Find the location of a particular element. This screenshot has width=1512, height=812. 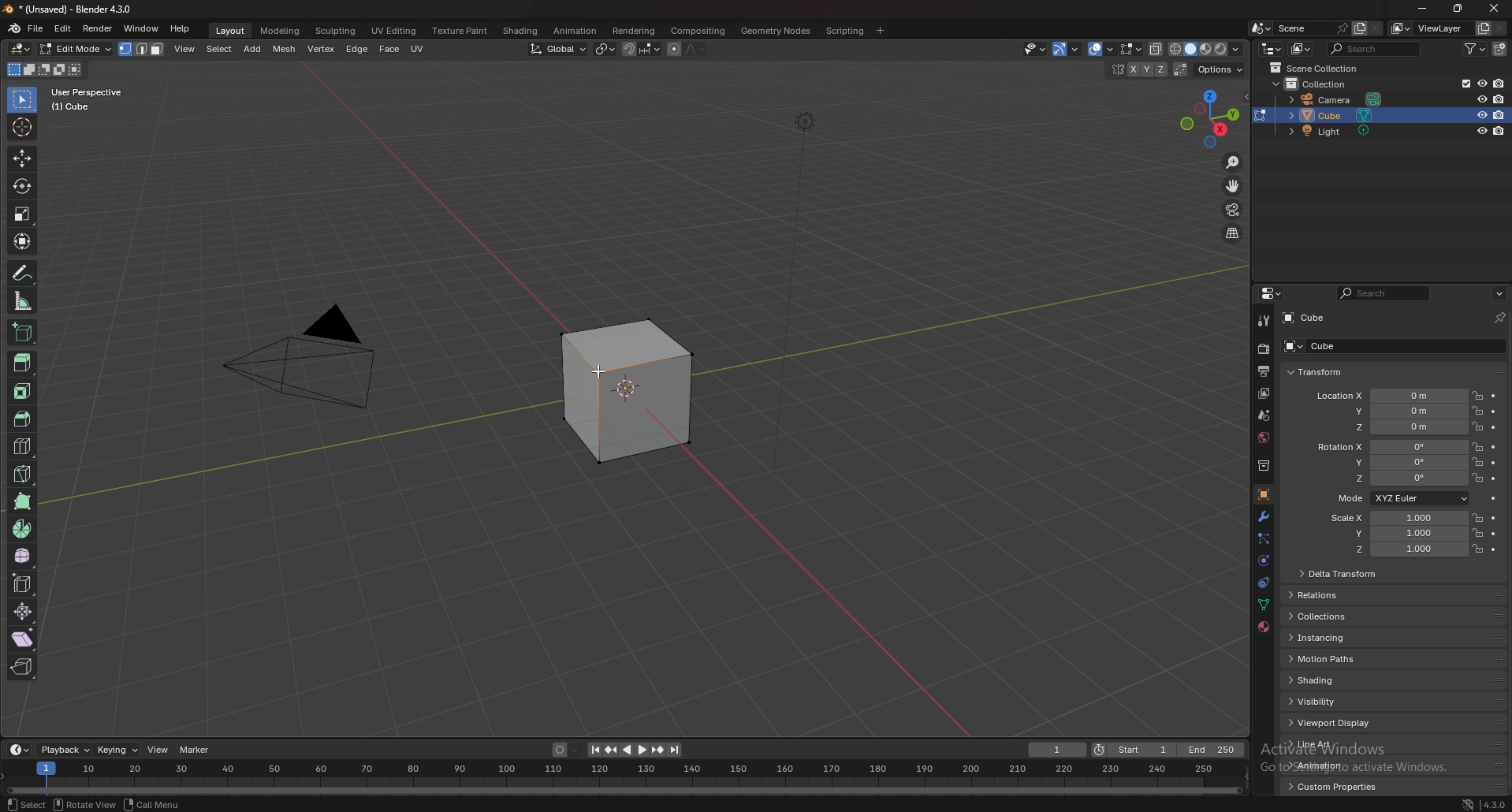

blender is located at coordinates (13, 28).